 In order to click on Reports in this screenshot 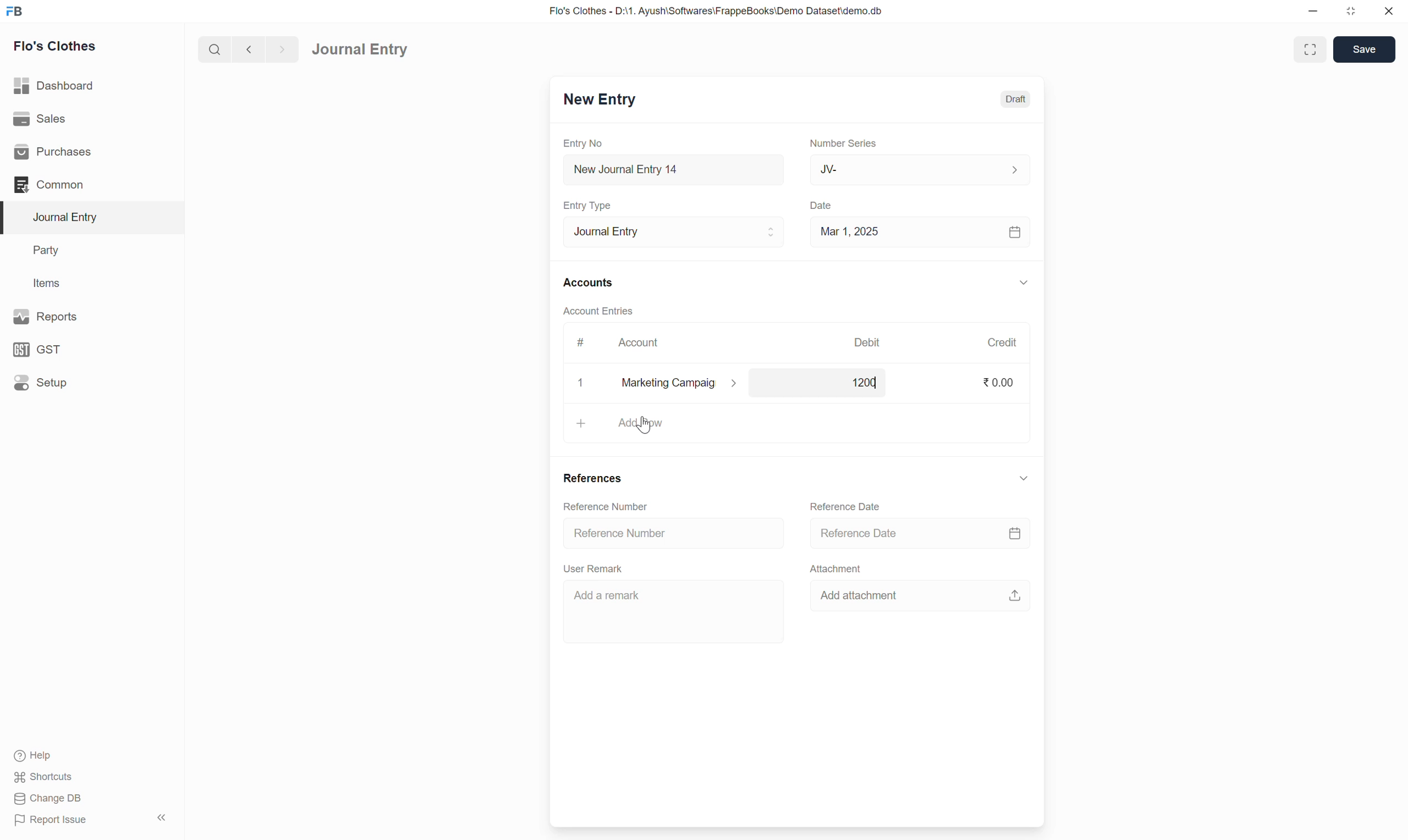, I will do `click(49, 316)`.